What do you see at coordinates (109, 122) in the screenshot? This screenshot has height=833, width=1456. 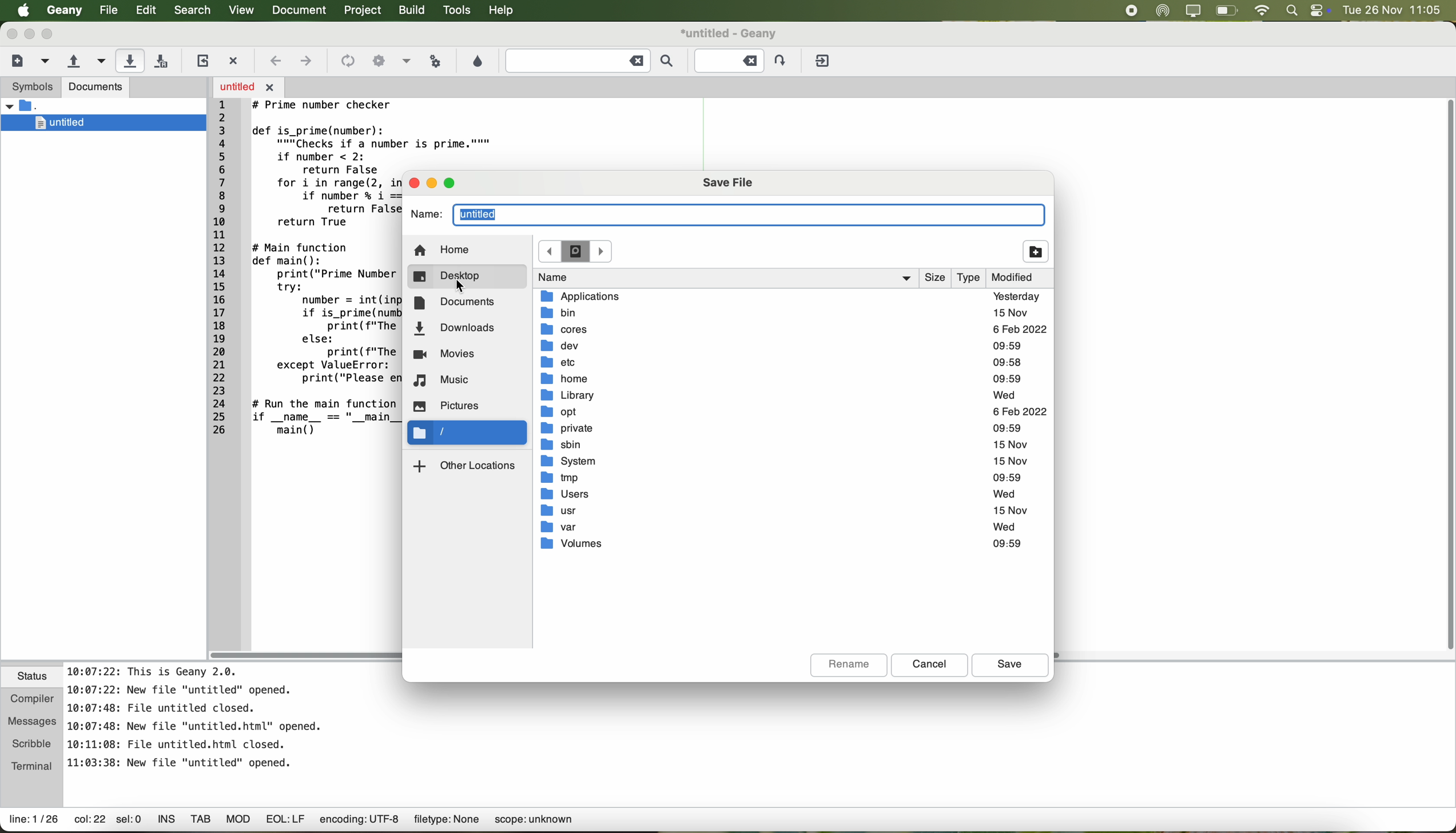 I see `untitled` at bounding box center [109, 122].